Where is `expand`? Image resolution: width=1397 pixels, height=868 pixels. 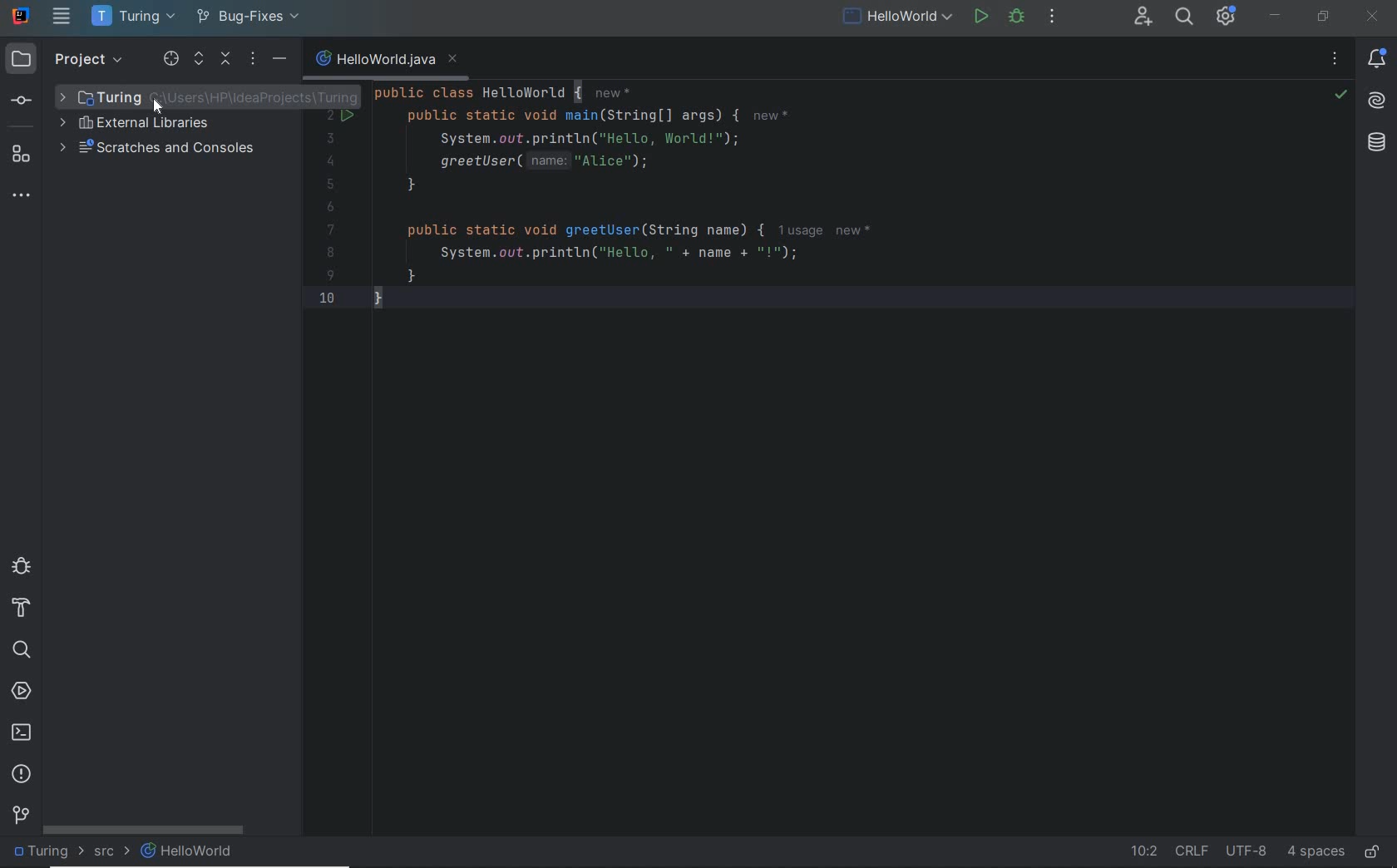
expand is located at coordinates (200, 60).